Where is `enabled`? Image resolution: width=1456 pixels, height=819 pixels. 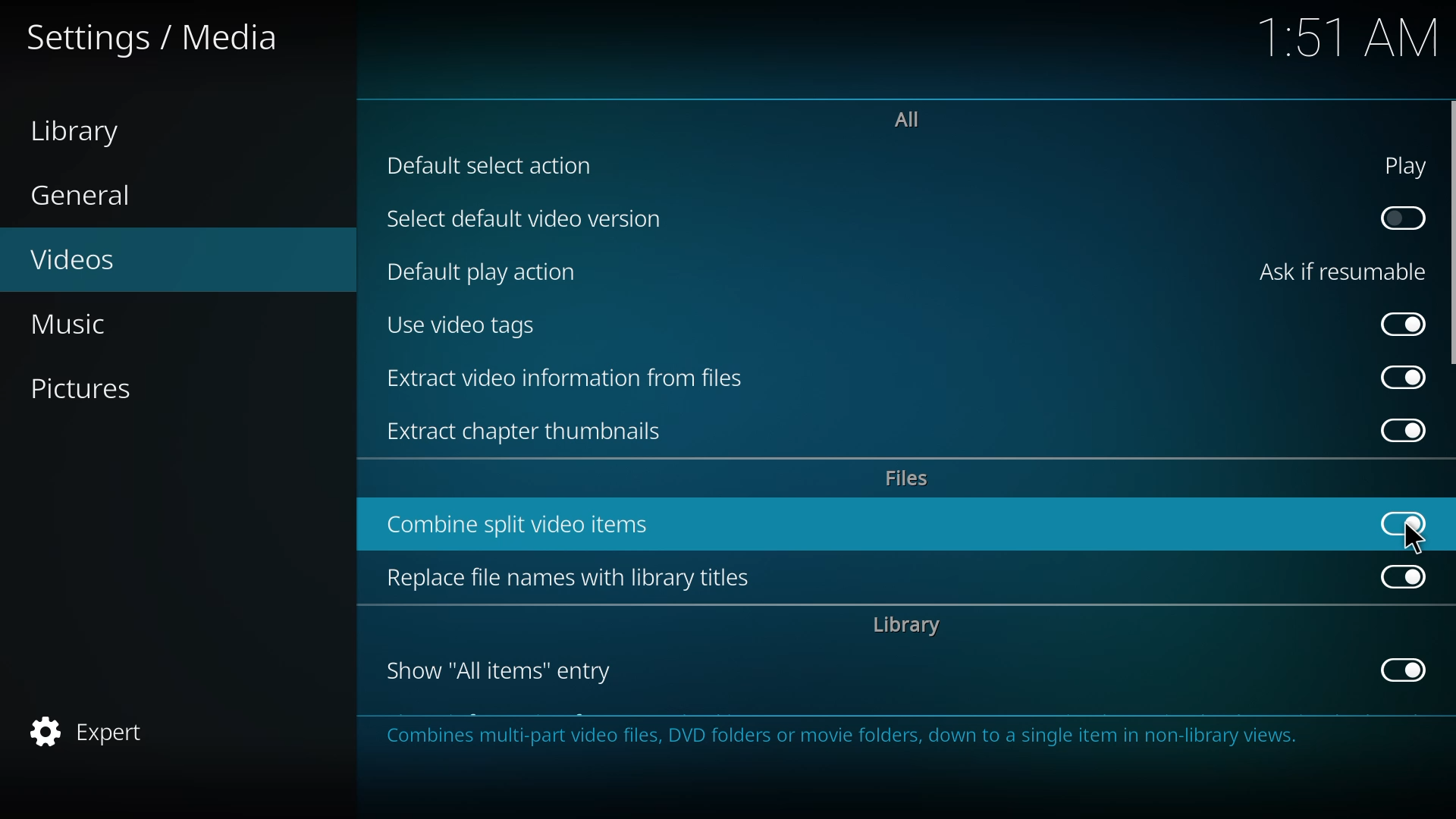
enabled is located at coordinates (1404, 322).